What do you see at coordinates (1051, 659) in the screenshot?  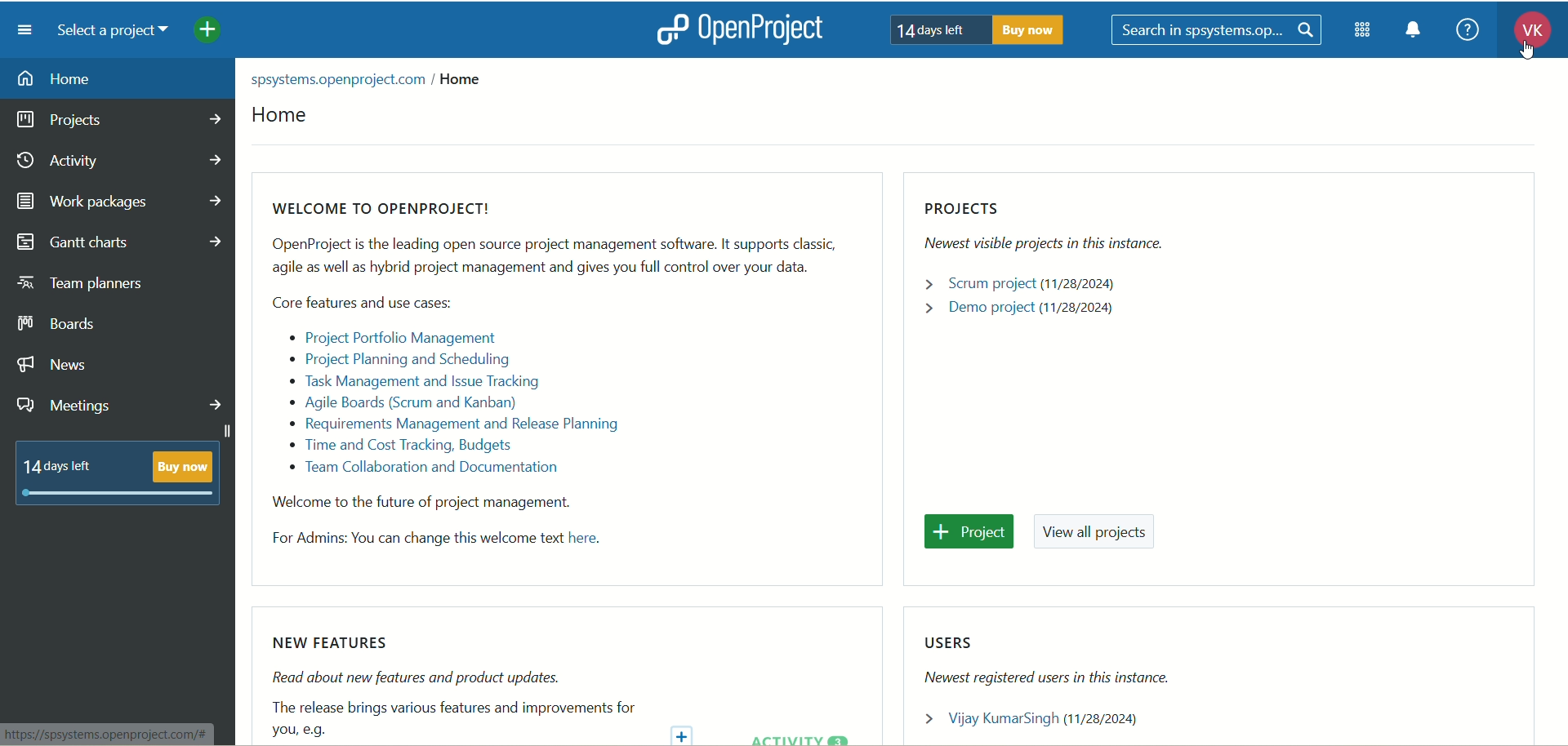 I see `text` at bounding box center [1051, 659].